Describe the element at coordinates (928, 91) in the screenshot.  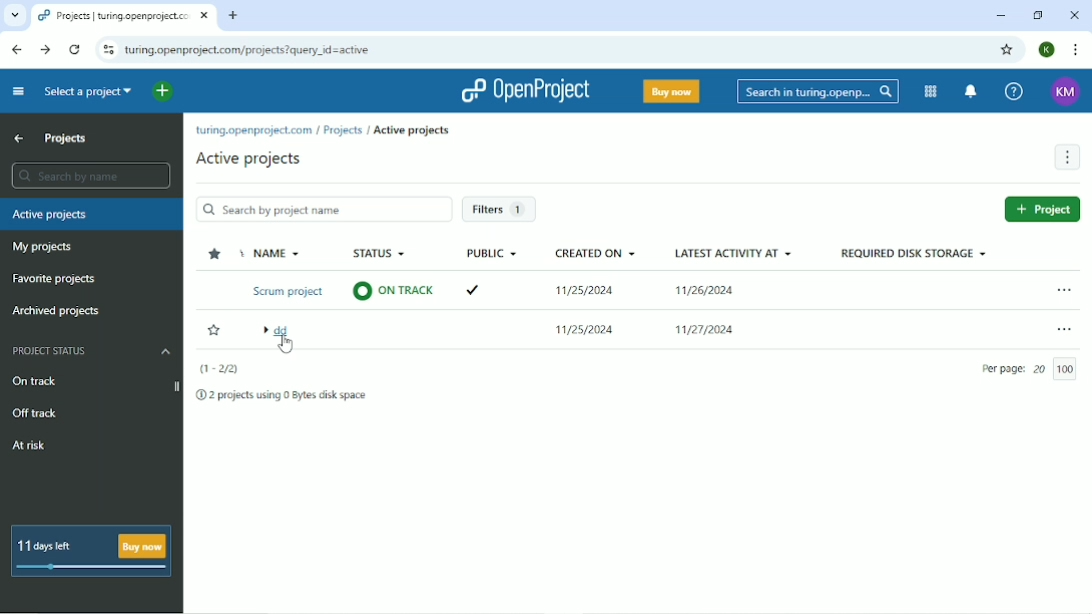
I see `Modules` at that location.